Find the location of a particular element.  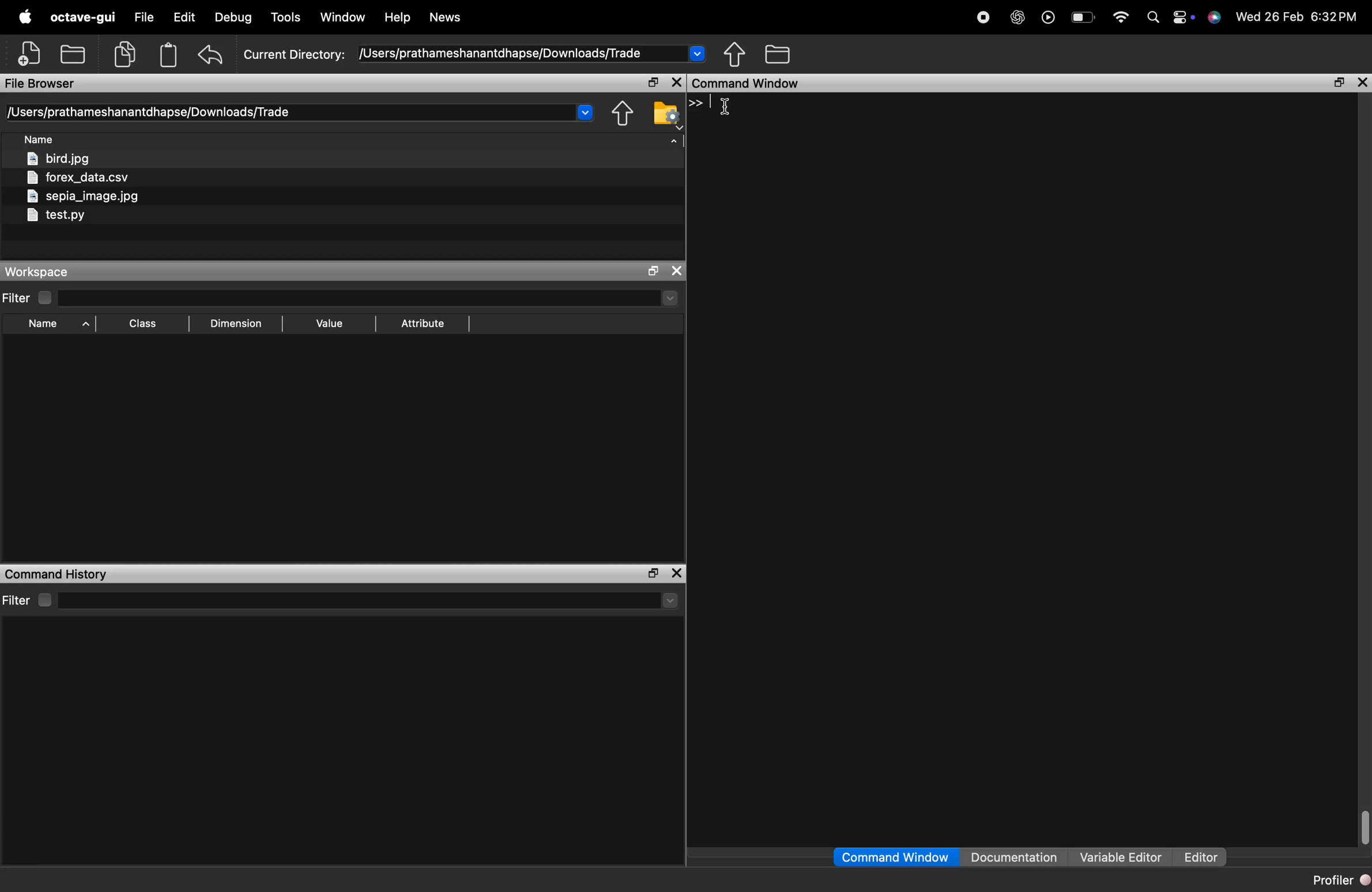

paste is located at coordinates (169, 54).